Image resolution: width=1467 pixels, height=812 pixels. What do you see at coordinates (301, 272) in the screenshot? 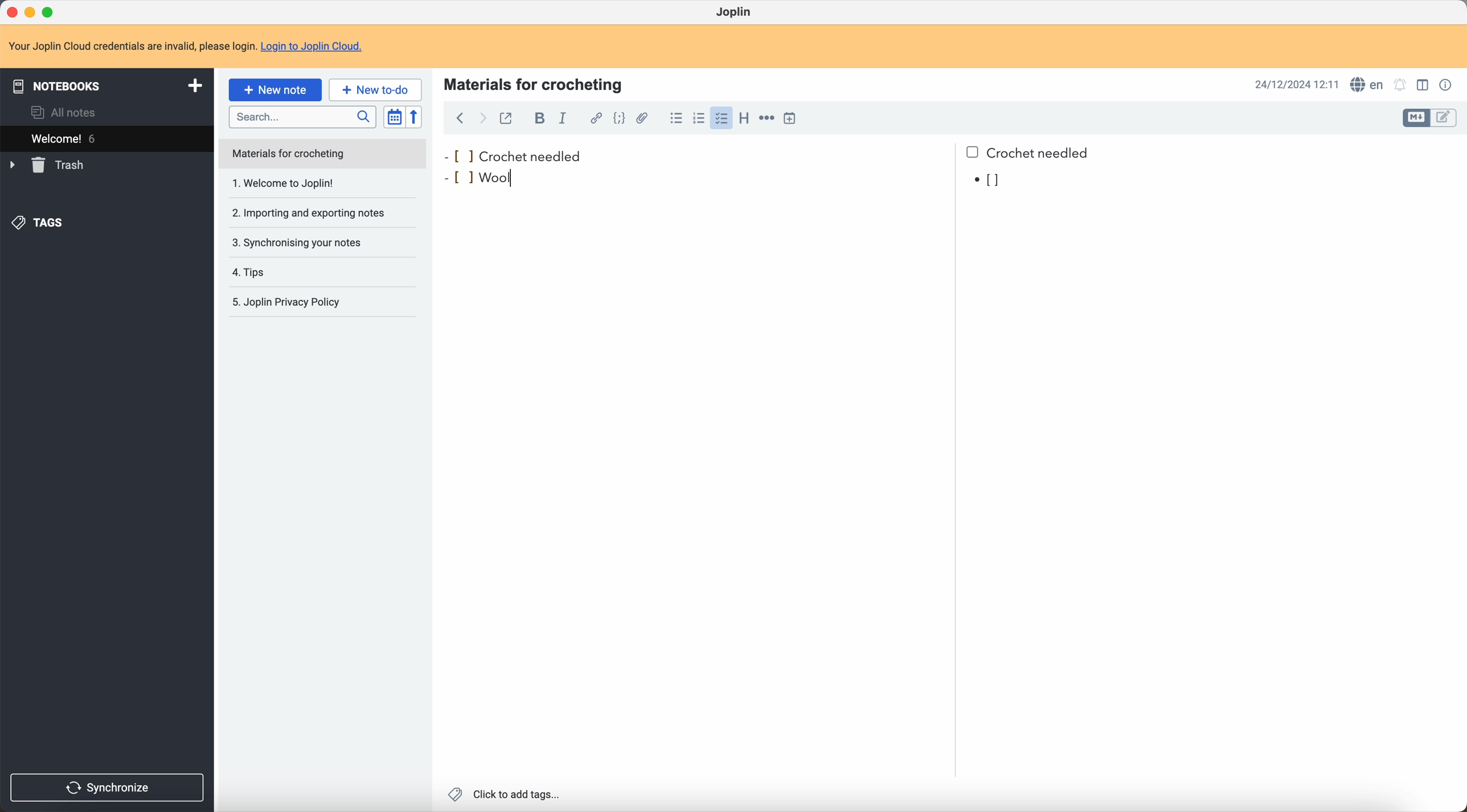
I see `tips` at bounding box center [301, 272].